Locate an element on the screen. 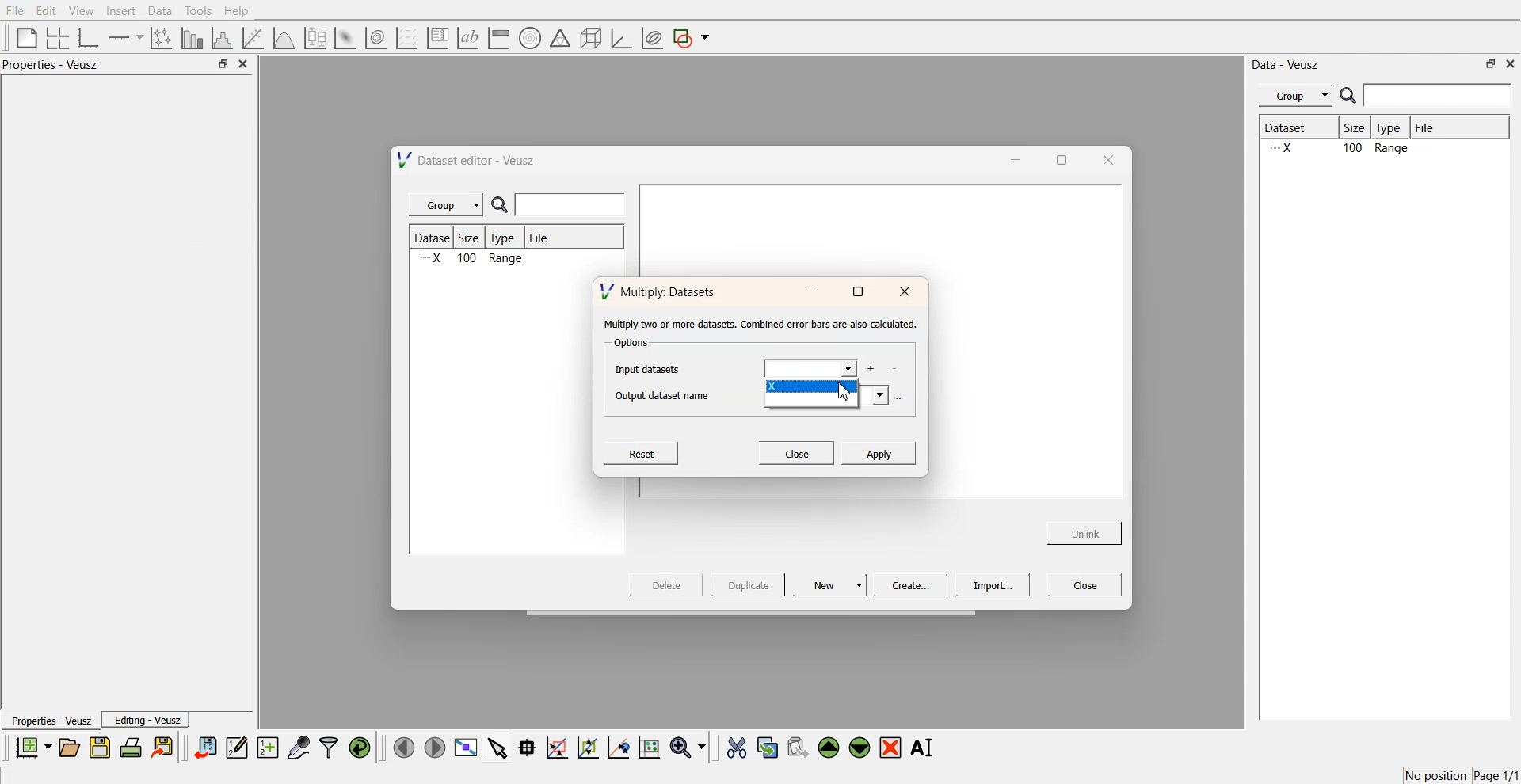  close is located at coordinates (905, 292).